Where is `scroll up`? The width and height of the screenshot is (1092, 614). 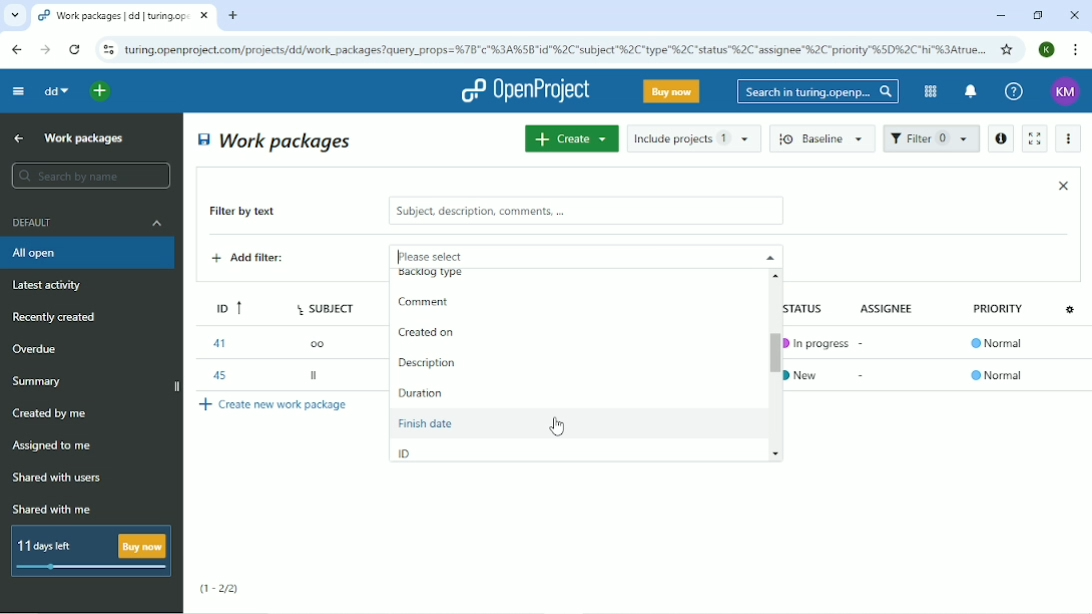 scroll up is located at coordinates (779, 275).